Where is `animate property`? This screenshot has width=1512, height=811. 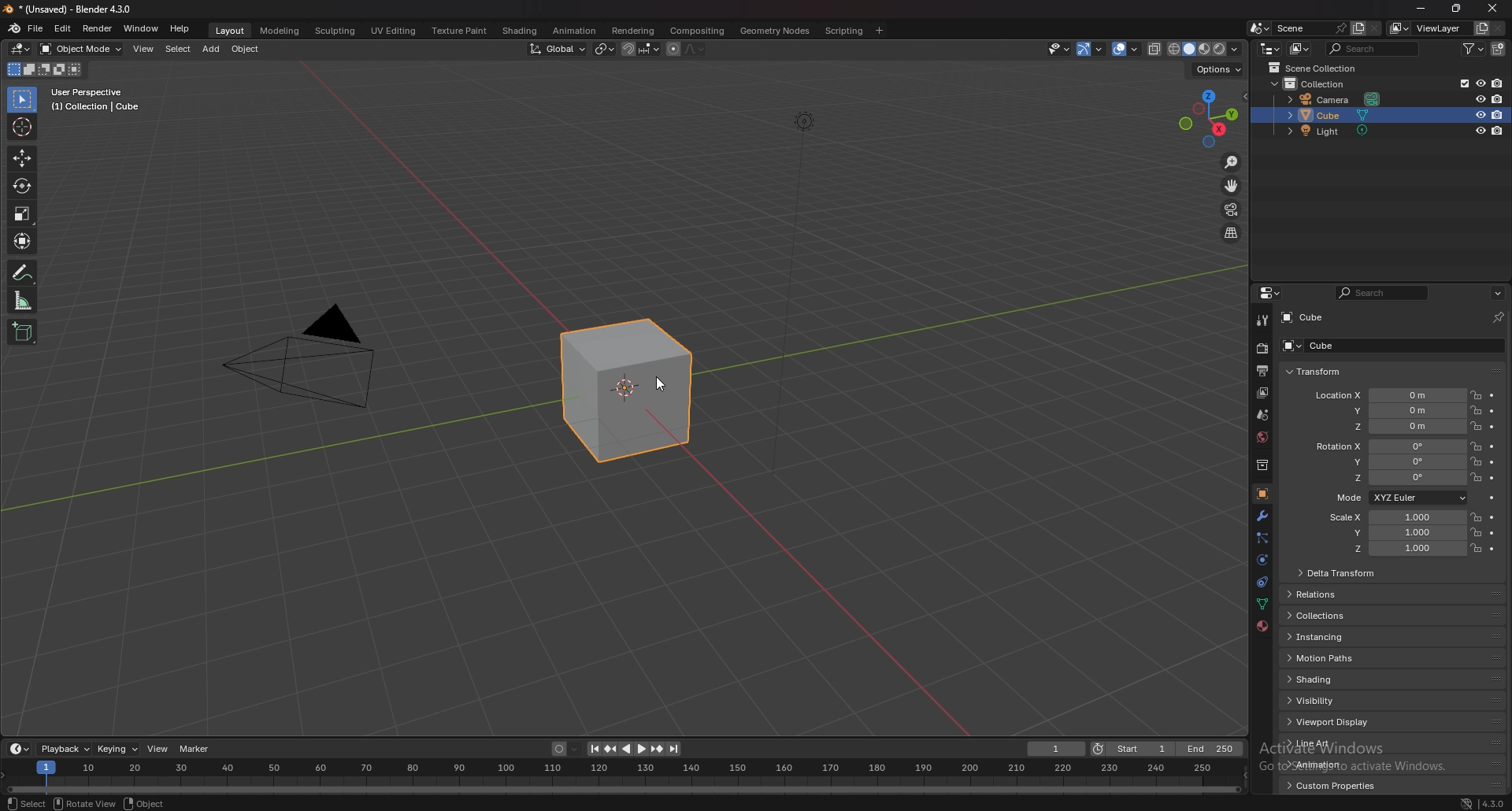 animate property is located at coordinates (1493, 395).